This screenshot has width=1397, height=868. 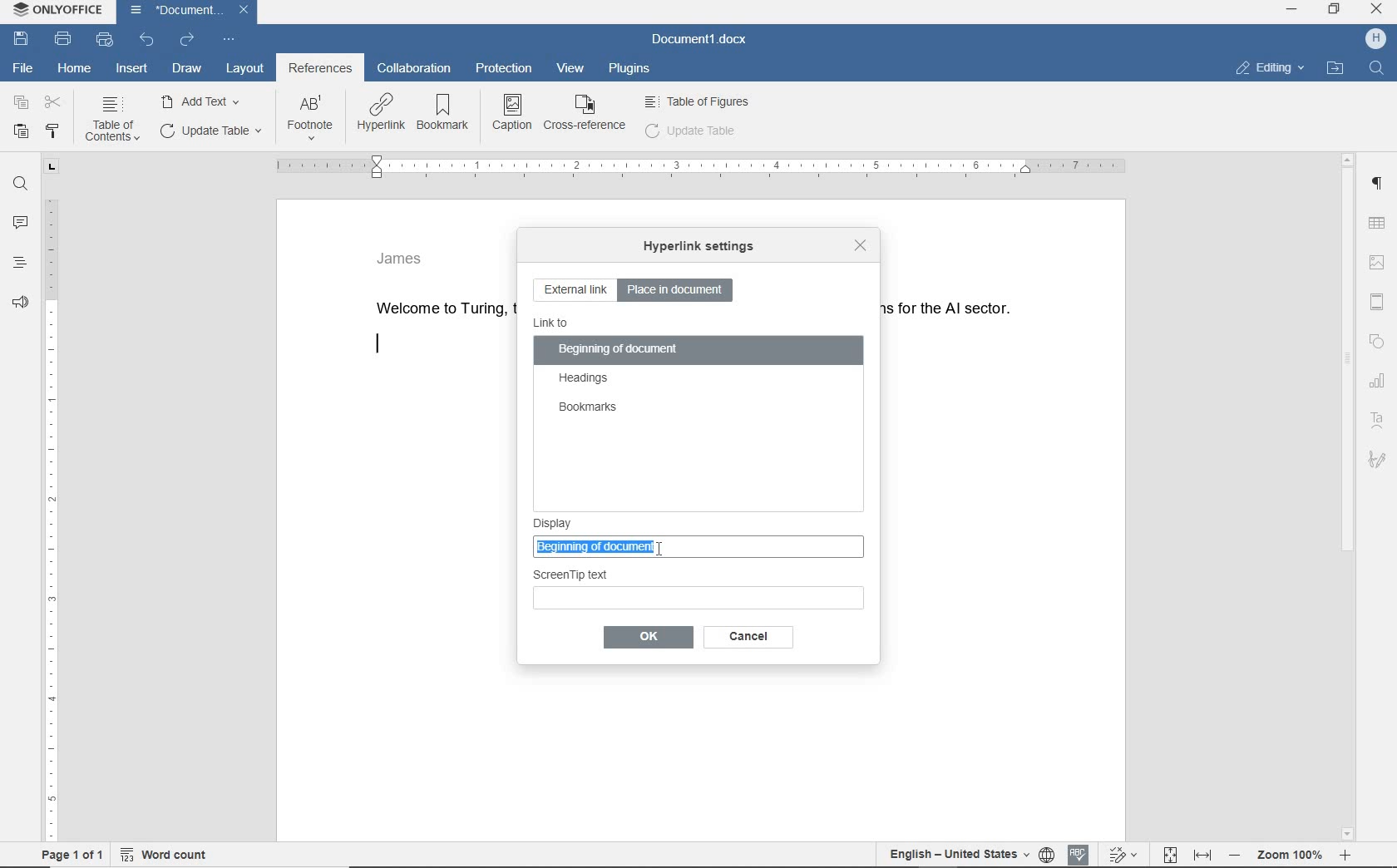 What do you see at coordinates (619, 351) in the screenshot?
I see `beginning of document` at bounding box center [619, 351].